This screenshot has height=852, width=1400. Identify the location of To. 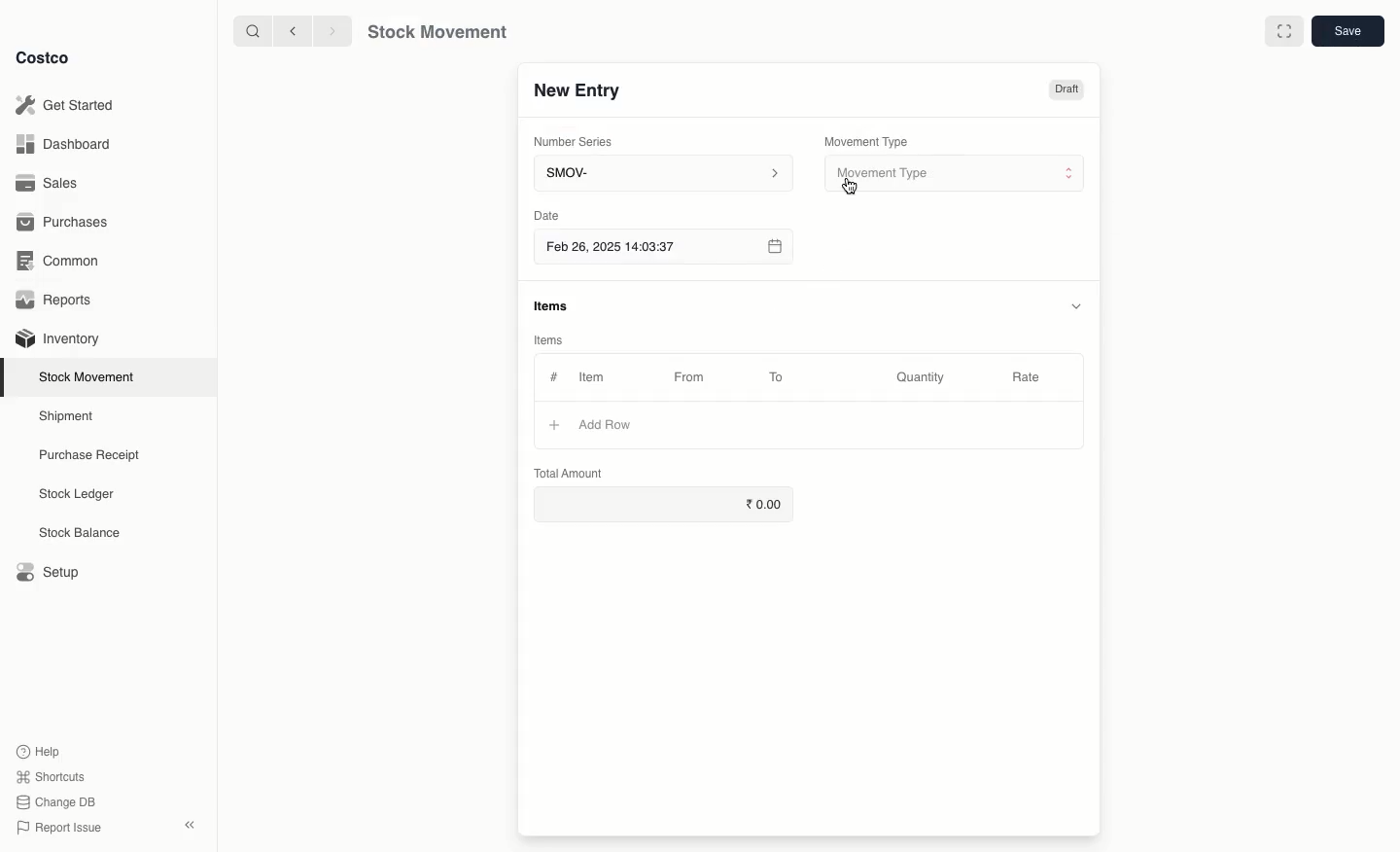
(777, 376).